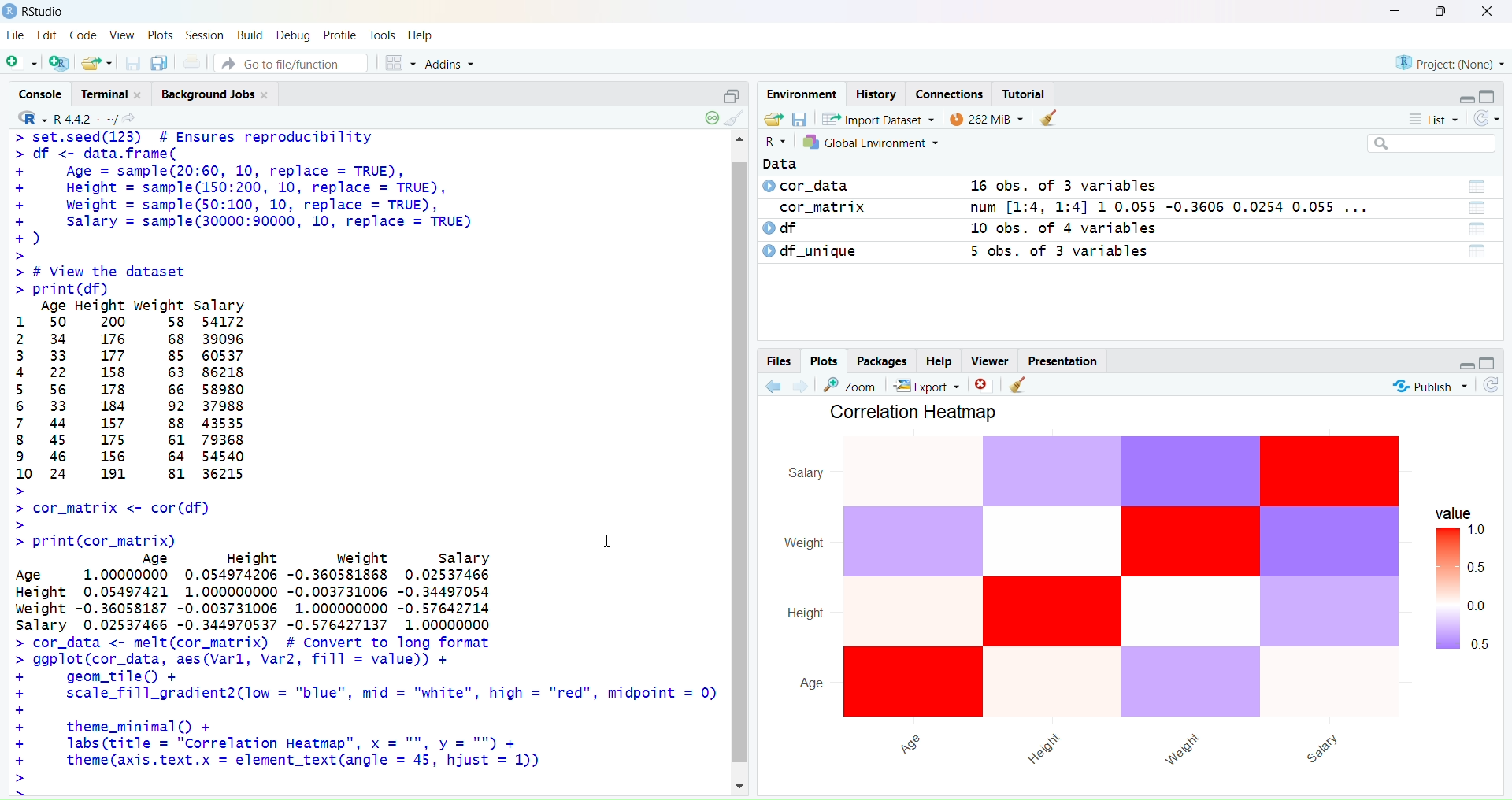 Image resolution: width=1512 pixels, height=800 pixels. Describe the element at coordinates (193, 62) in the screenshot. I see `Print the current file` at that location.